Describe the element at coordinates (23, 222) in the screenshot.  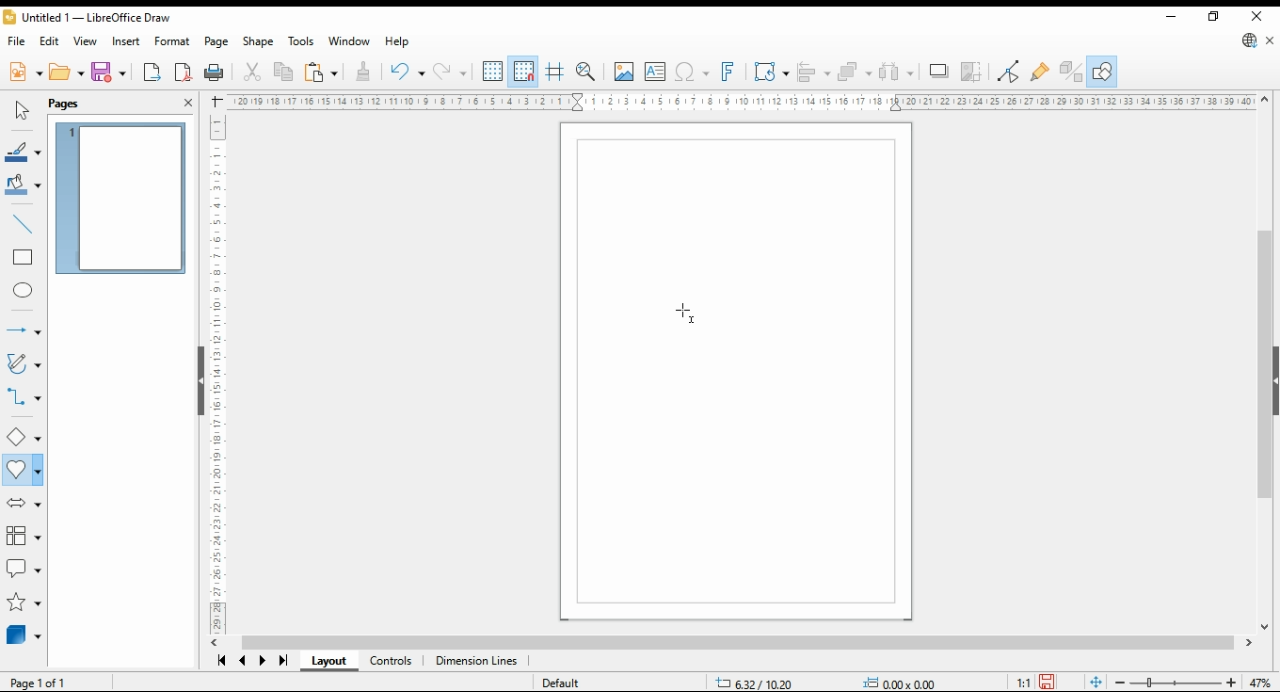
I see `insert line` at that location.